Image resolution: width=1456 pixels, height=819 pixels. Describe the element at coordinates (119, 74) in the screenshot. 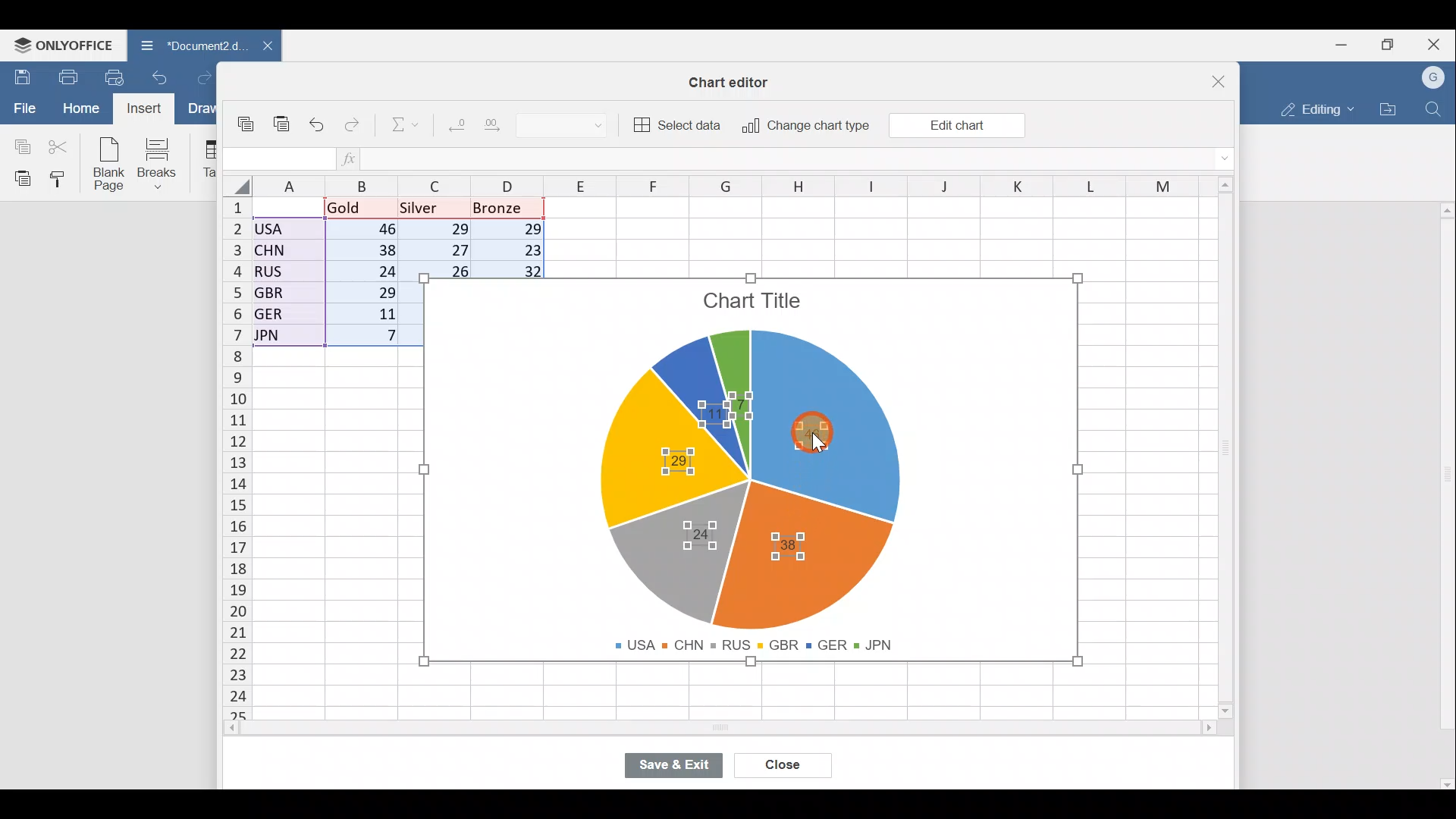

I see `Quick print` at that location.